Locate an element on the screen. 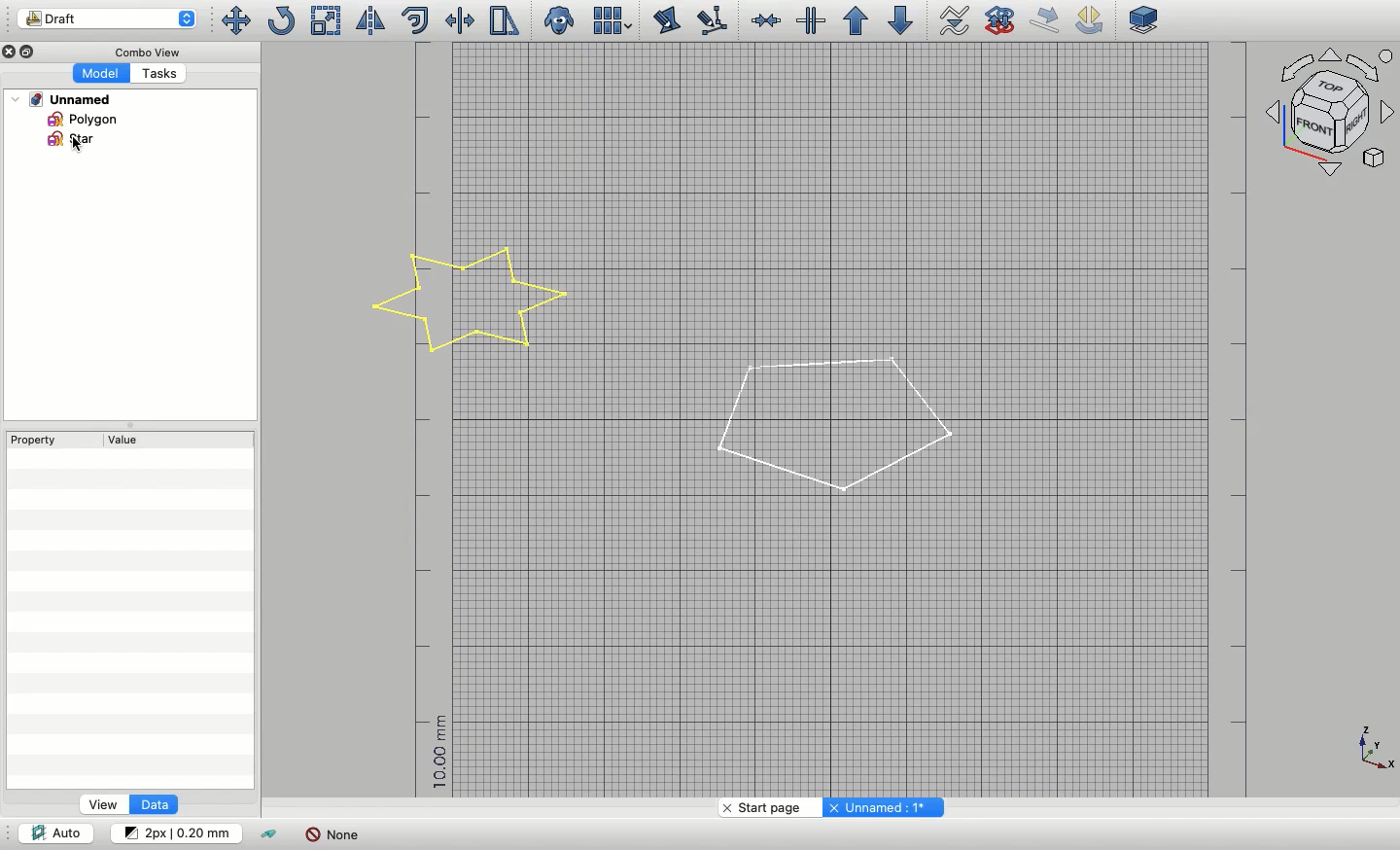 The image size is (1400, 850). Star is located at coordinates (71, 140).